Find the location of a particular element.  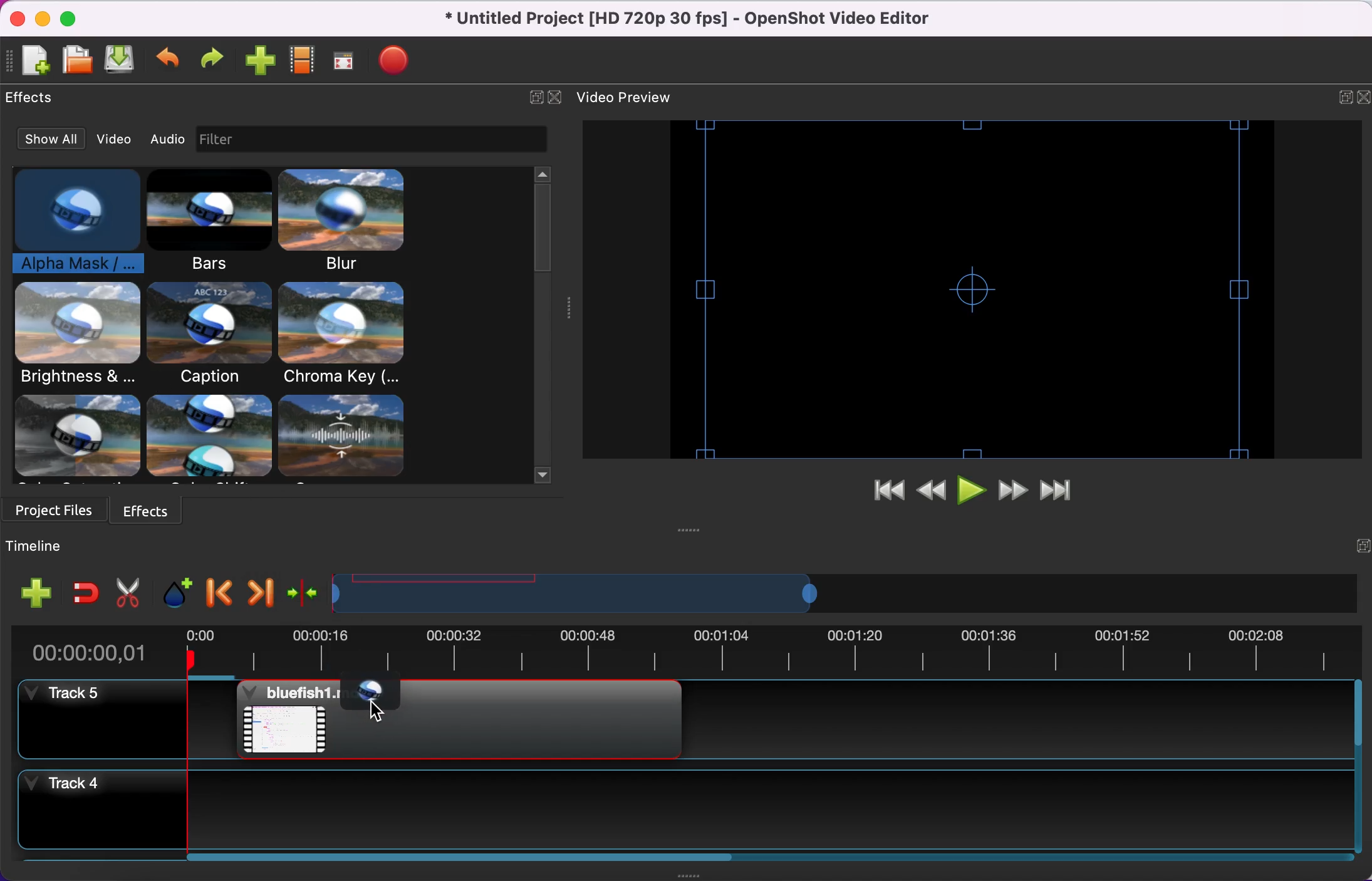

undo is located at coordinates (169, 63).